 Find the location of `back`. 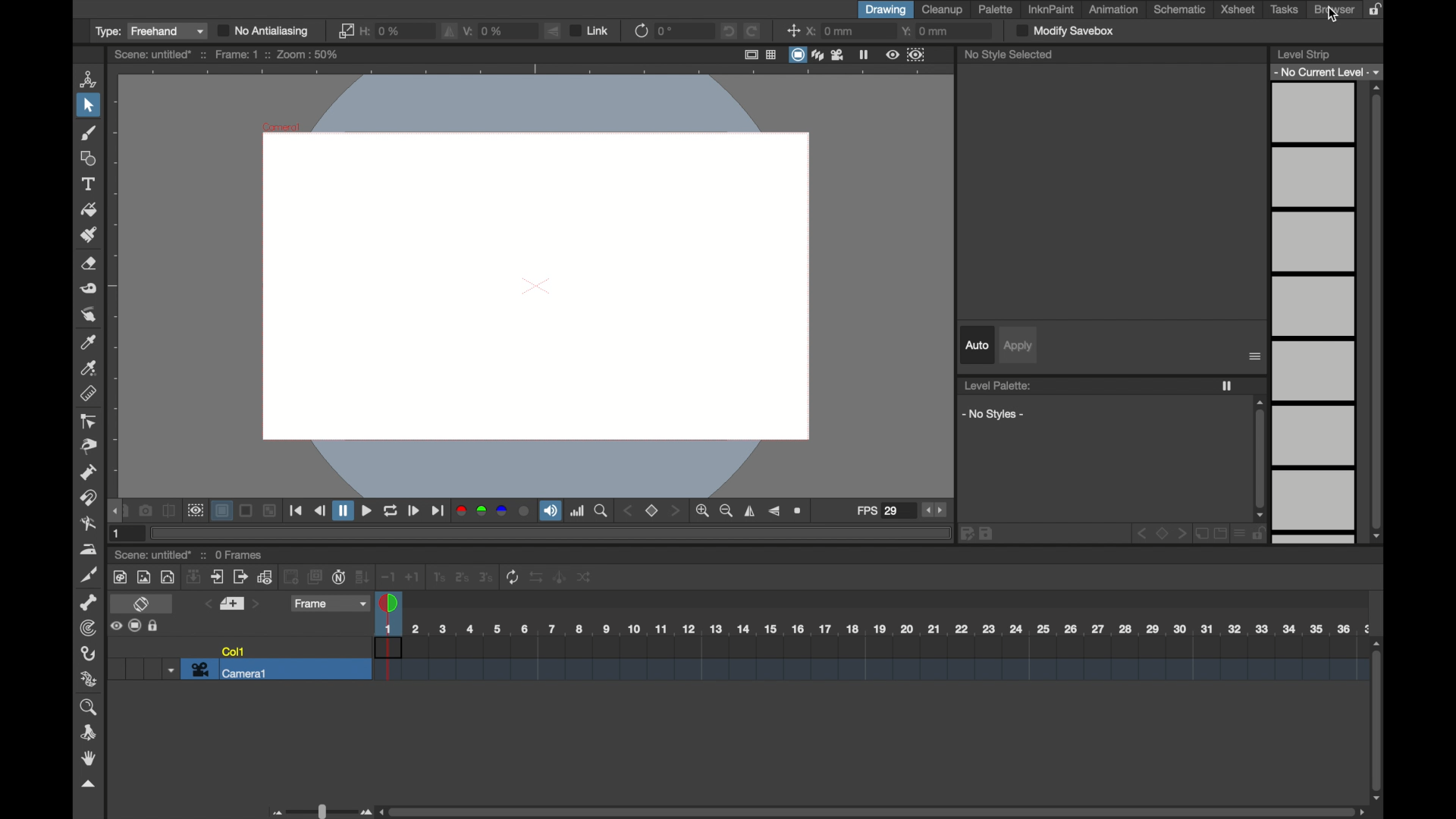

back is located at coordinates (290, 576).